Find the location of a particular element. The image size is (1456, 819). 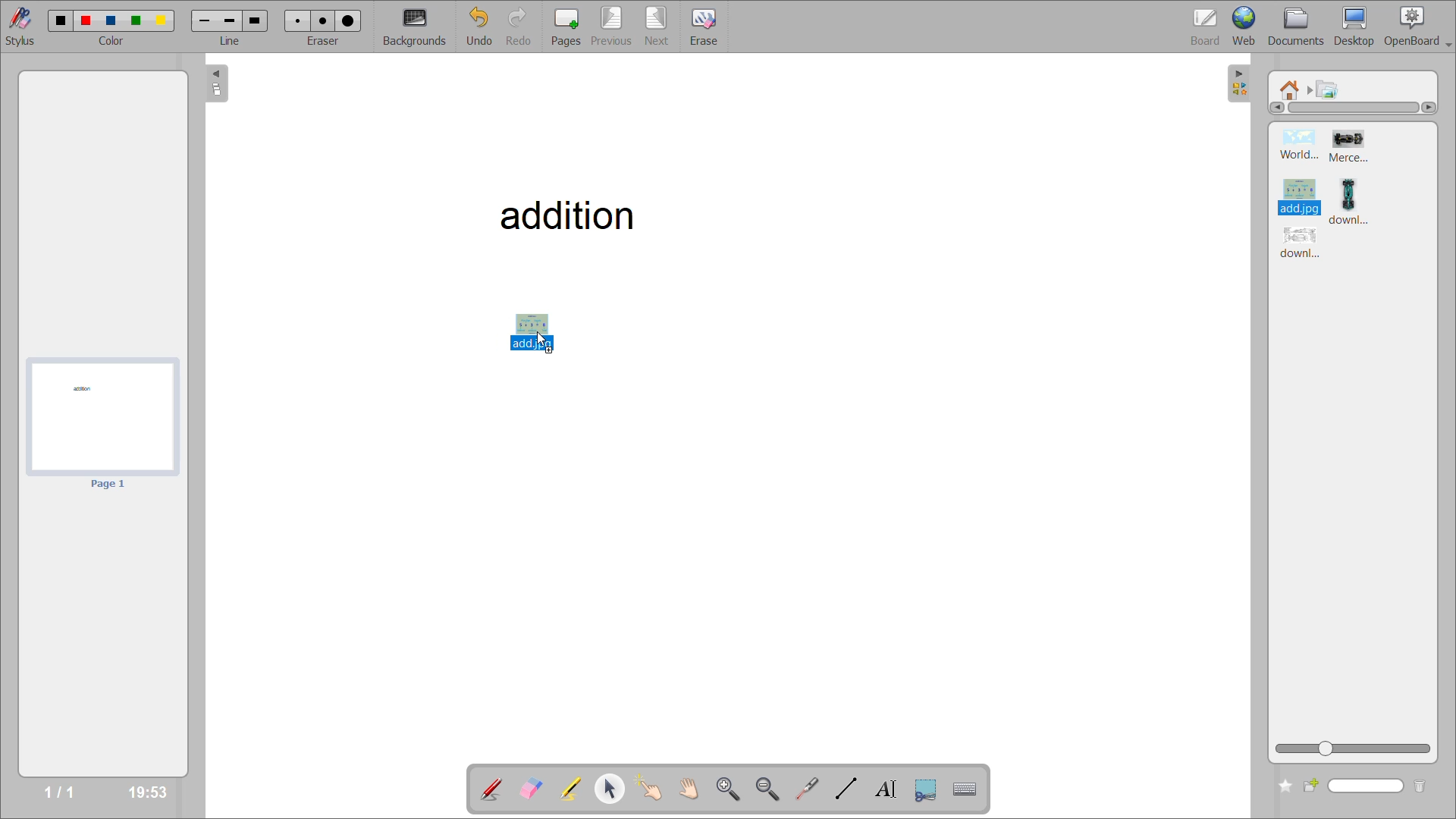

line 3 is located at coordinates (254, 20).